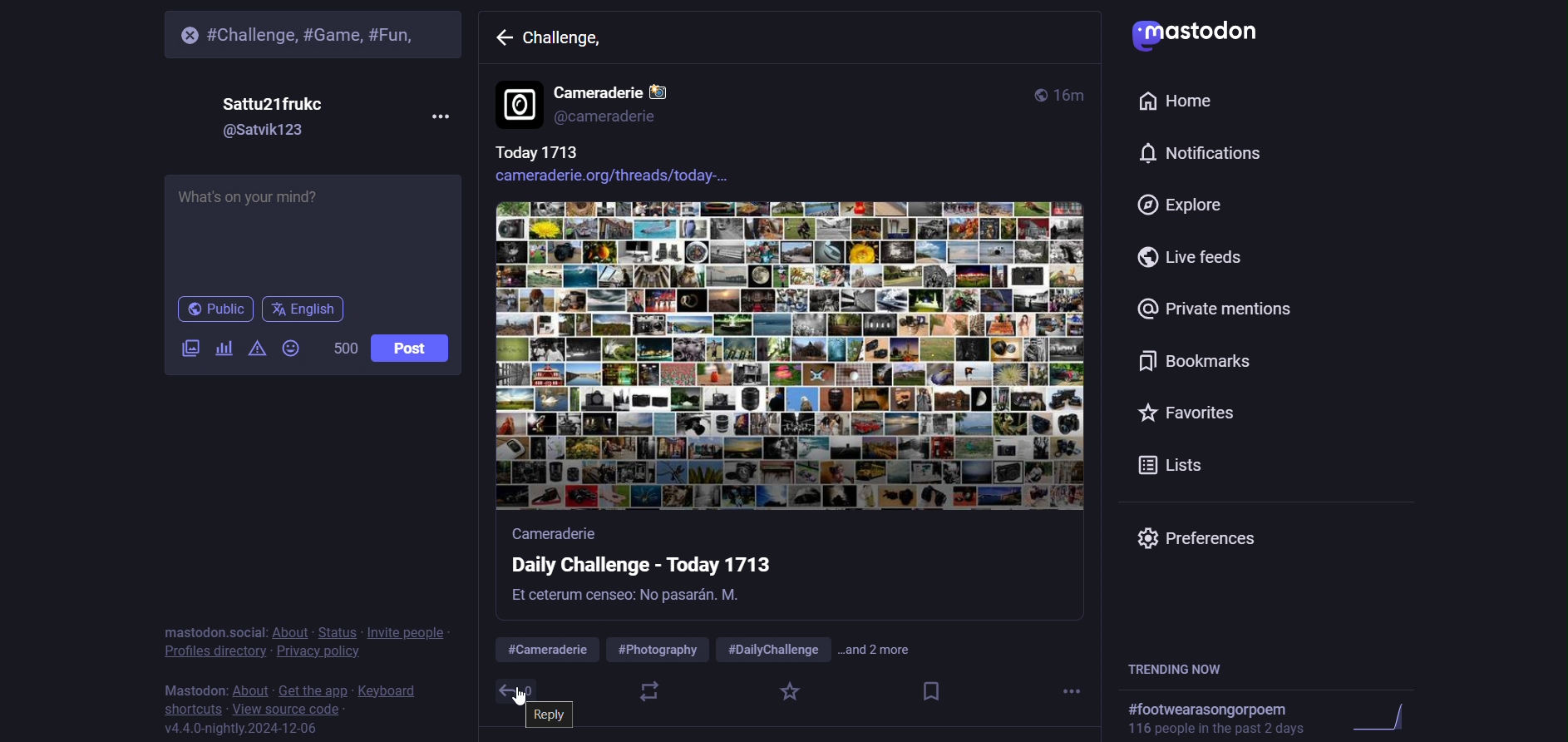 The width and height of the screenshot is (1568, 742). I want to click on poll, so click(222, 350).